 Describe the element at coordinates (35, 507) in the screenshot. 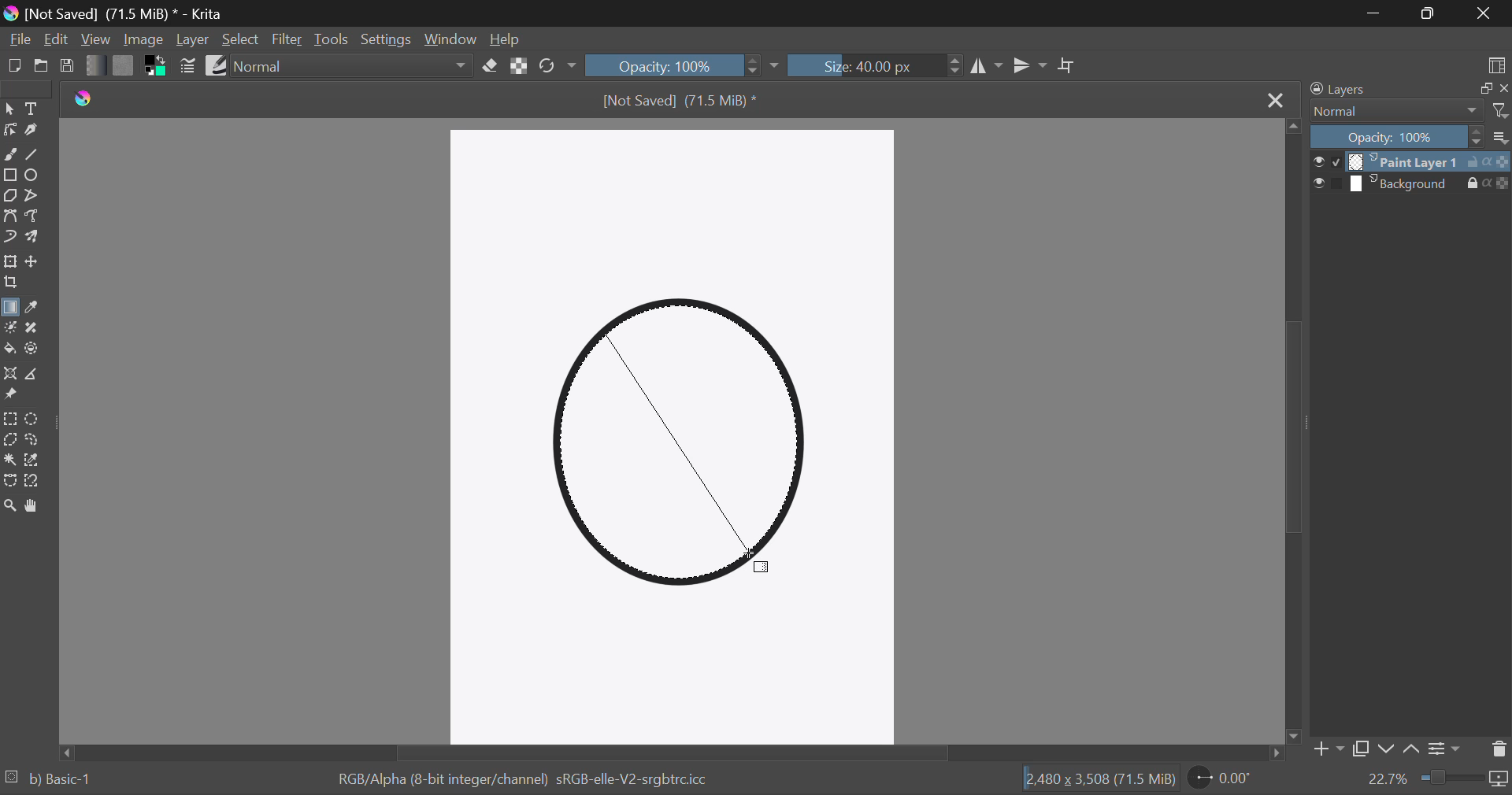

I see `Pan` at that location.